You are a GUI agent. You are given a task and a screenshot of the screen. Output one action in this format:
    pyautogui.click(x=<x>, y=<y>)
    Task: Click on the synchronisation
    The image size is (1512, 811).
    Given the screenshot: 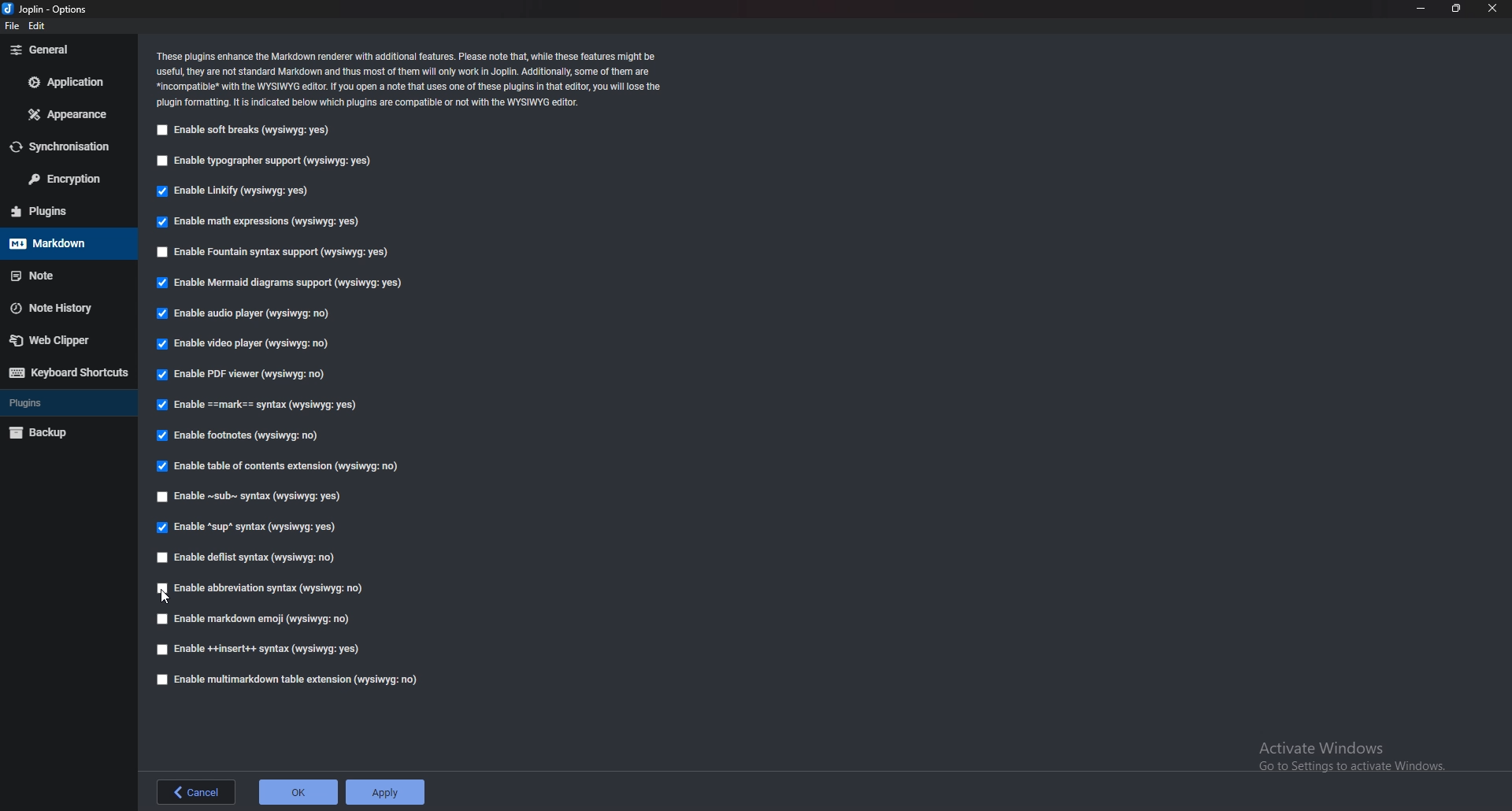 What is the action you would take?
    pyautogui.click(x=61, y=146)
    